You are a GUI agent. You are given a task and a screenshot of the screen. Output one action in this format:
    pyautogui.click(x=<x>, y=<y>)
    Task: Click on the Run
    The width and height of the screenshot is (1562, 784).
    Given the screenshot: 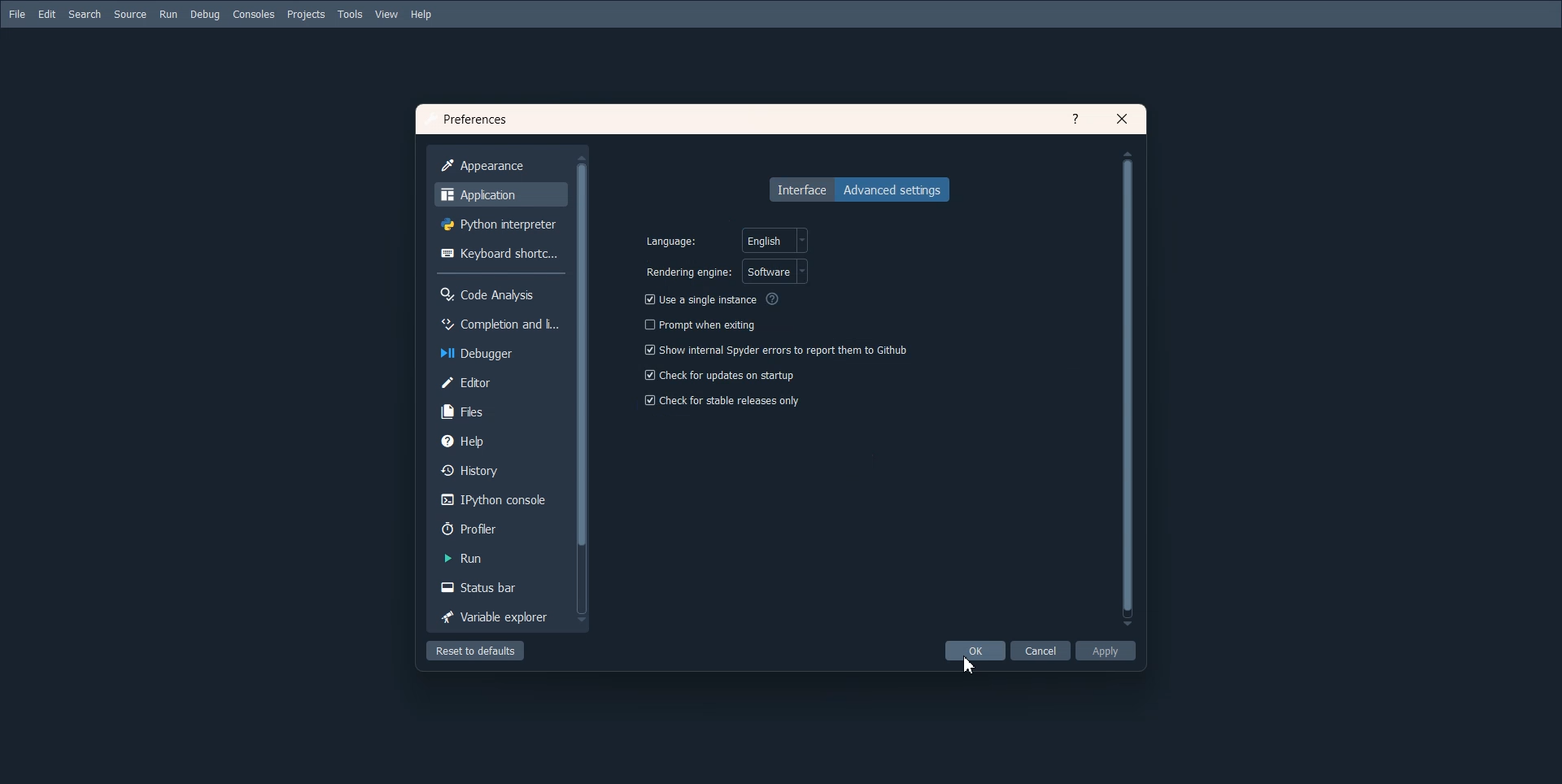 What is the action you would take?
    pyautogui.click(x=497, y=558)
    